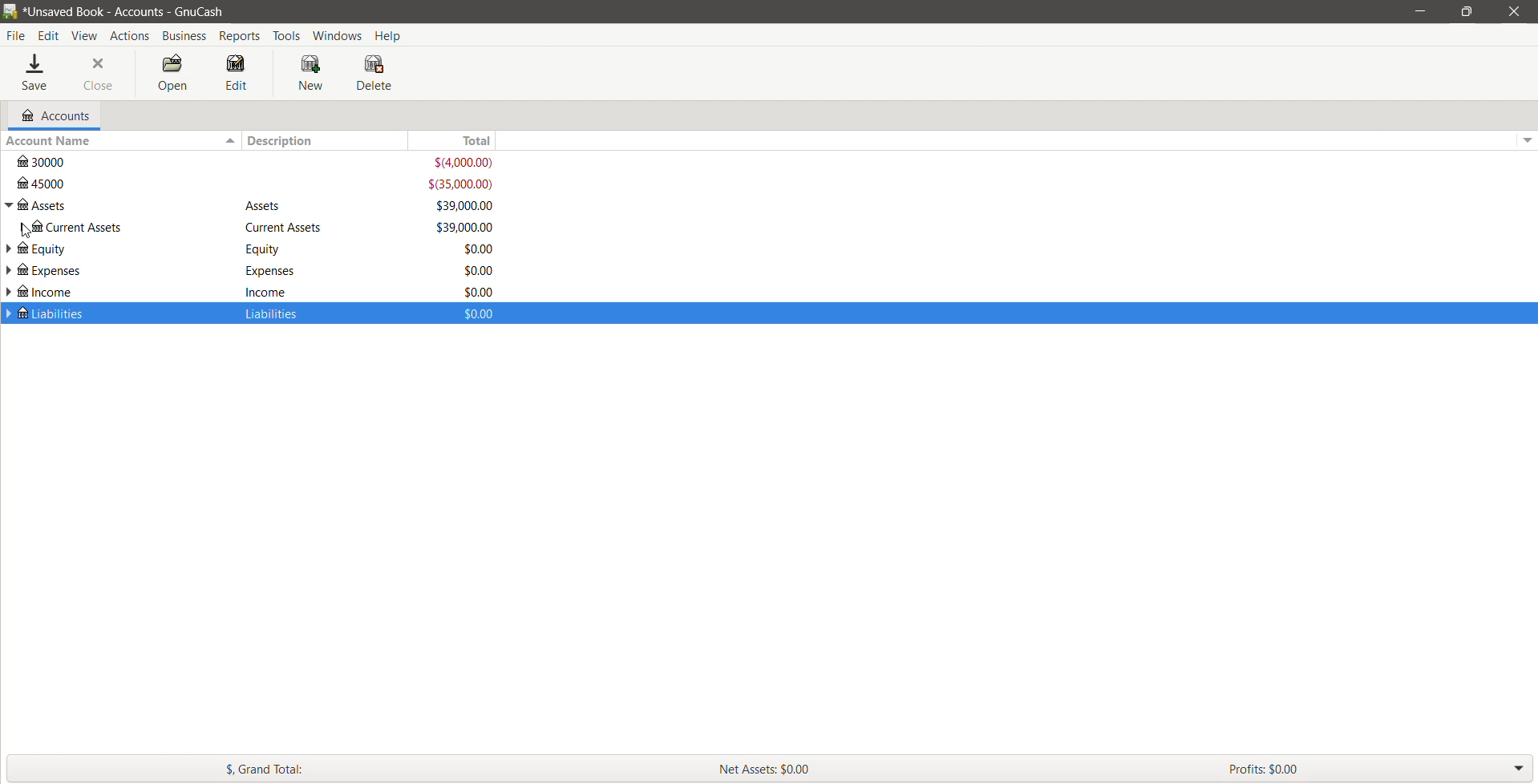  Describe the element at coordinates (467, 227) in the screenshot. I see `$0.00` at that location.